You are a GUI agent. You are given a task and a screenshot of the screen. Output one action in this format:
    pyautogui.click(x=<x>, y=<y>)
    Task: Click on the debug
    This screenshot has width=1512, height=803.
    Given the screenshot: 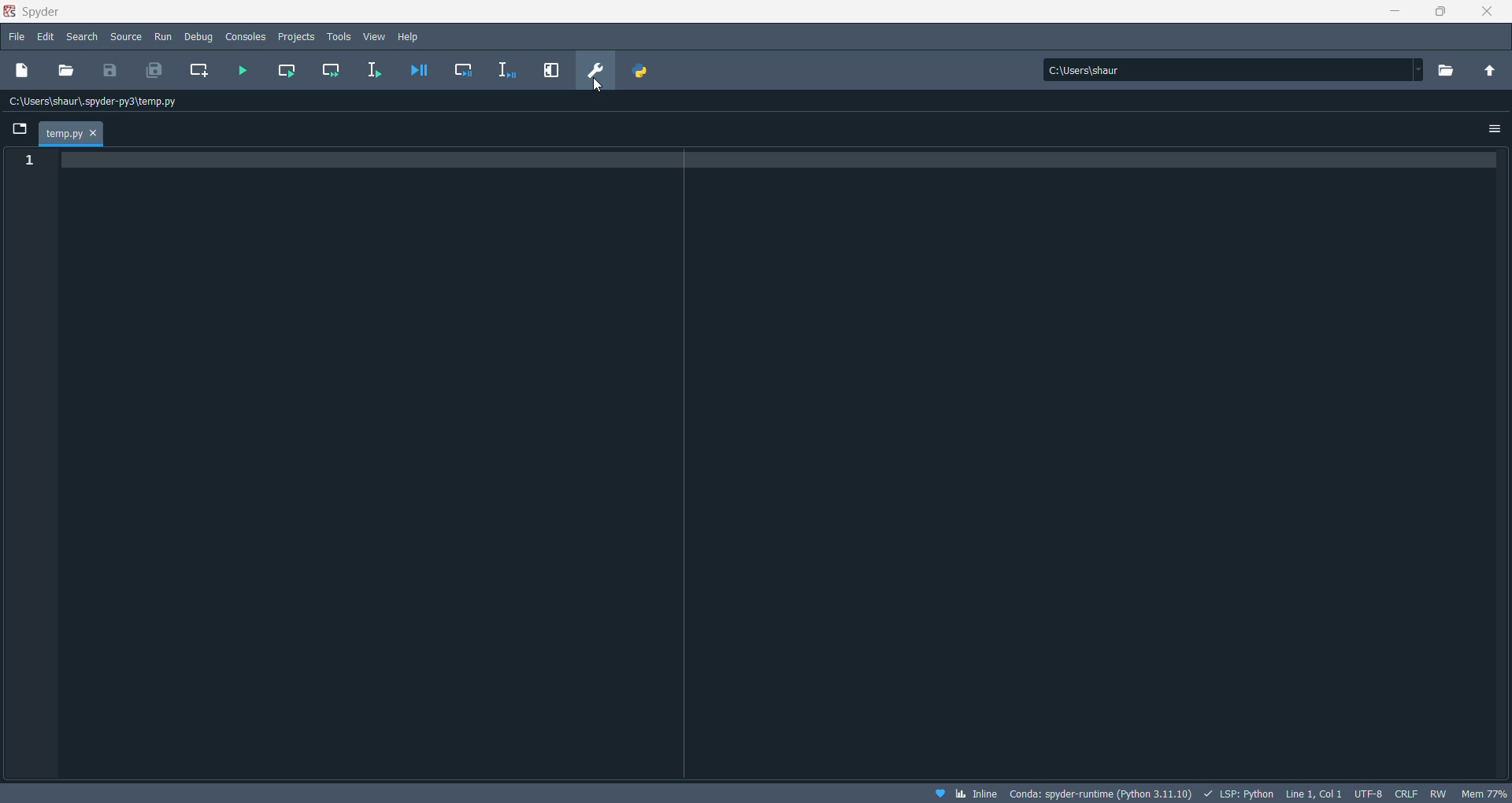 What is the action you would take?
    pyautogui.click(x=200, y=37)
    